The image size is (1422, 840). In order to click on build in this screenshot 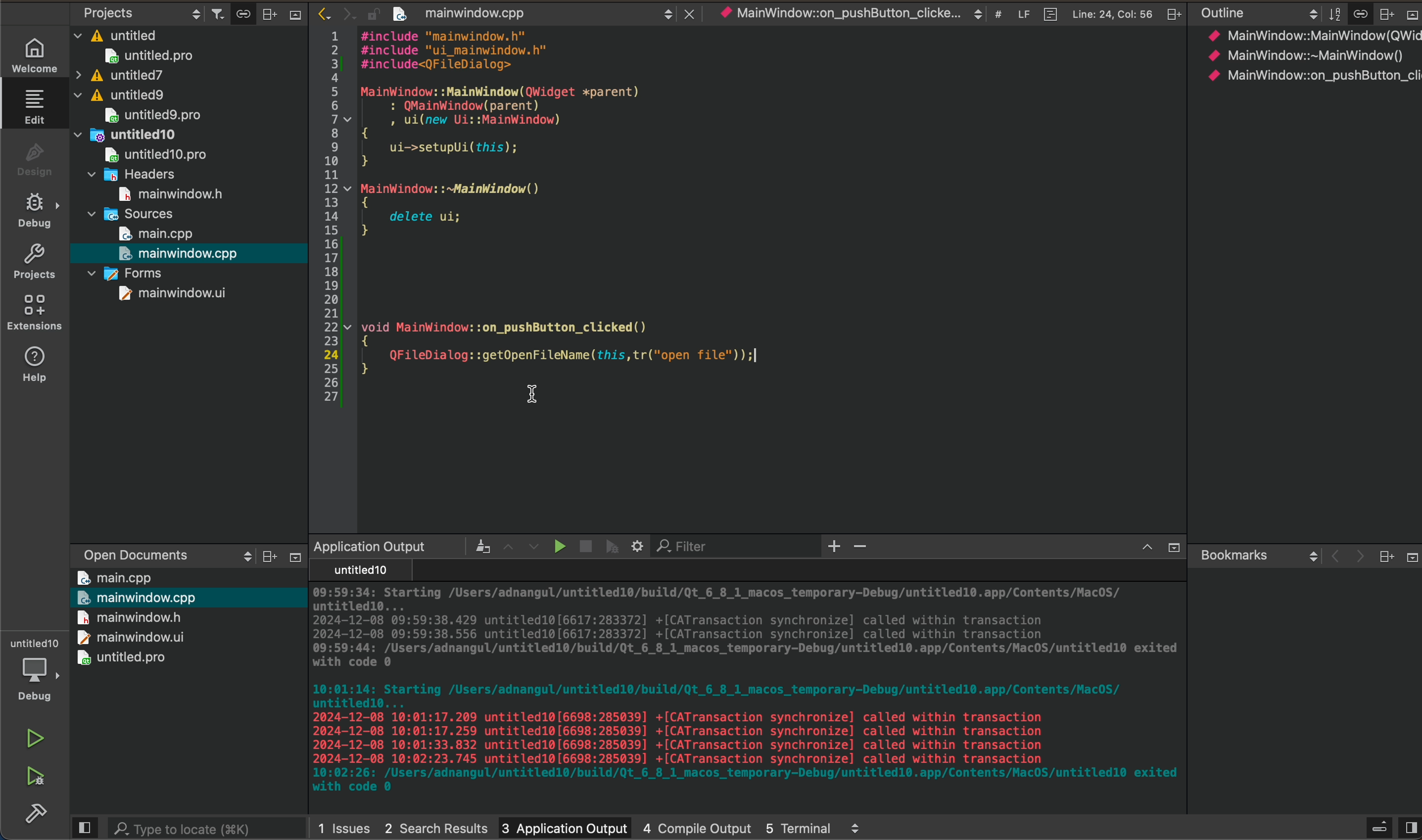, I will do `click(31, 819)`.